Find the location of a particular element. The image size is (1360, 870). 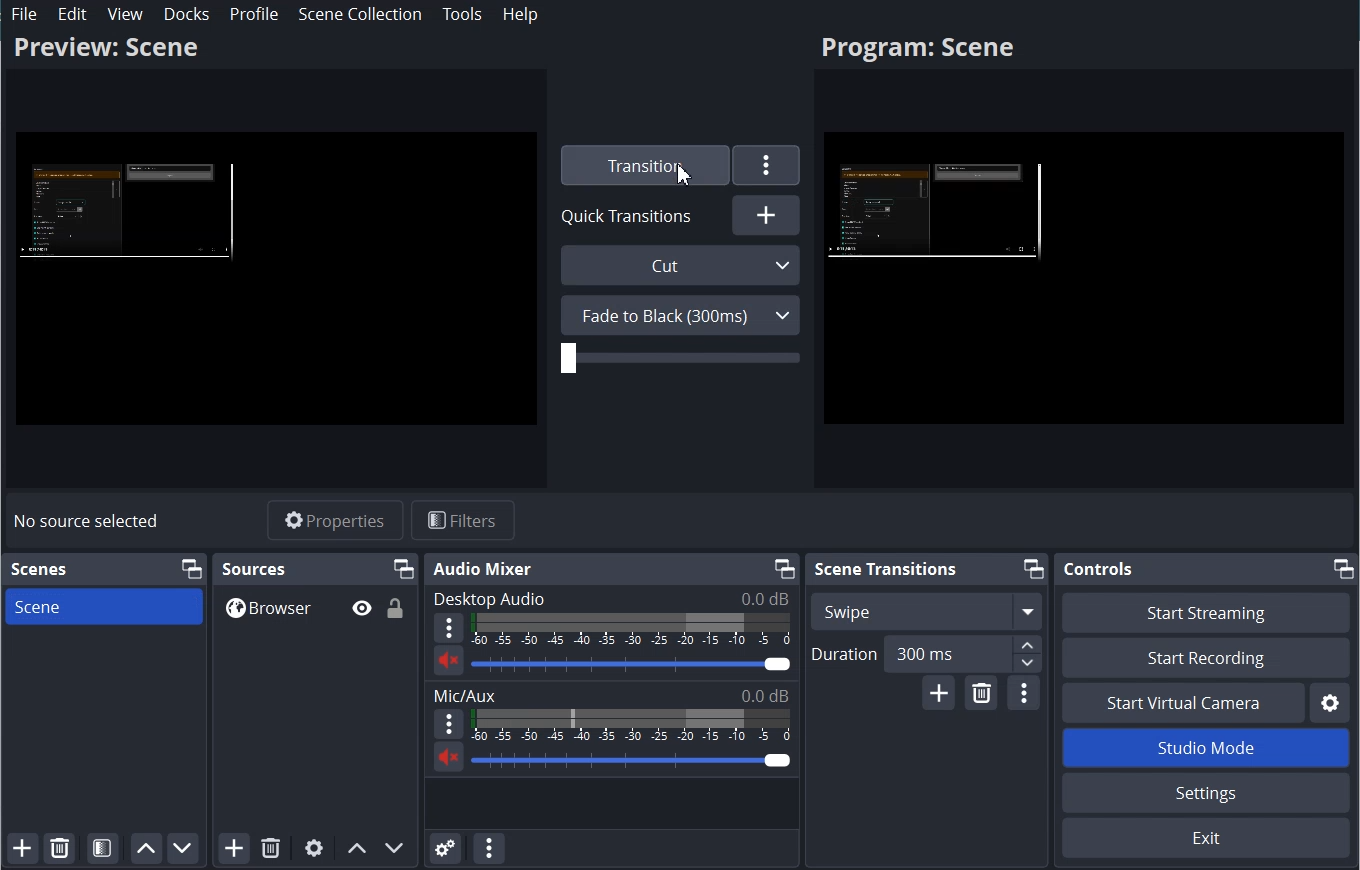

Start Virtual Camera is located at coordinates (1181, 702).